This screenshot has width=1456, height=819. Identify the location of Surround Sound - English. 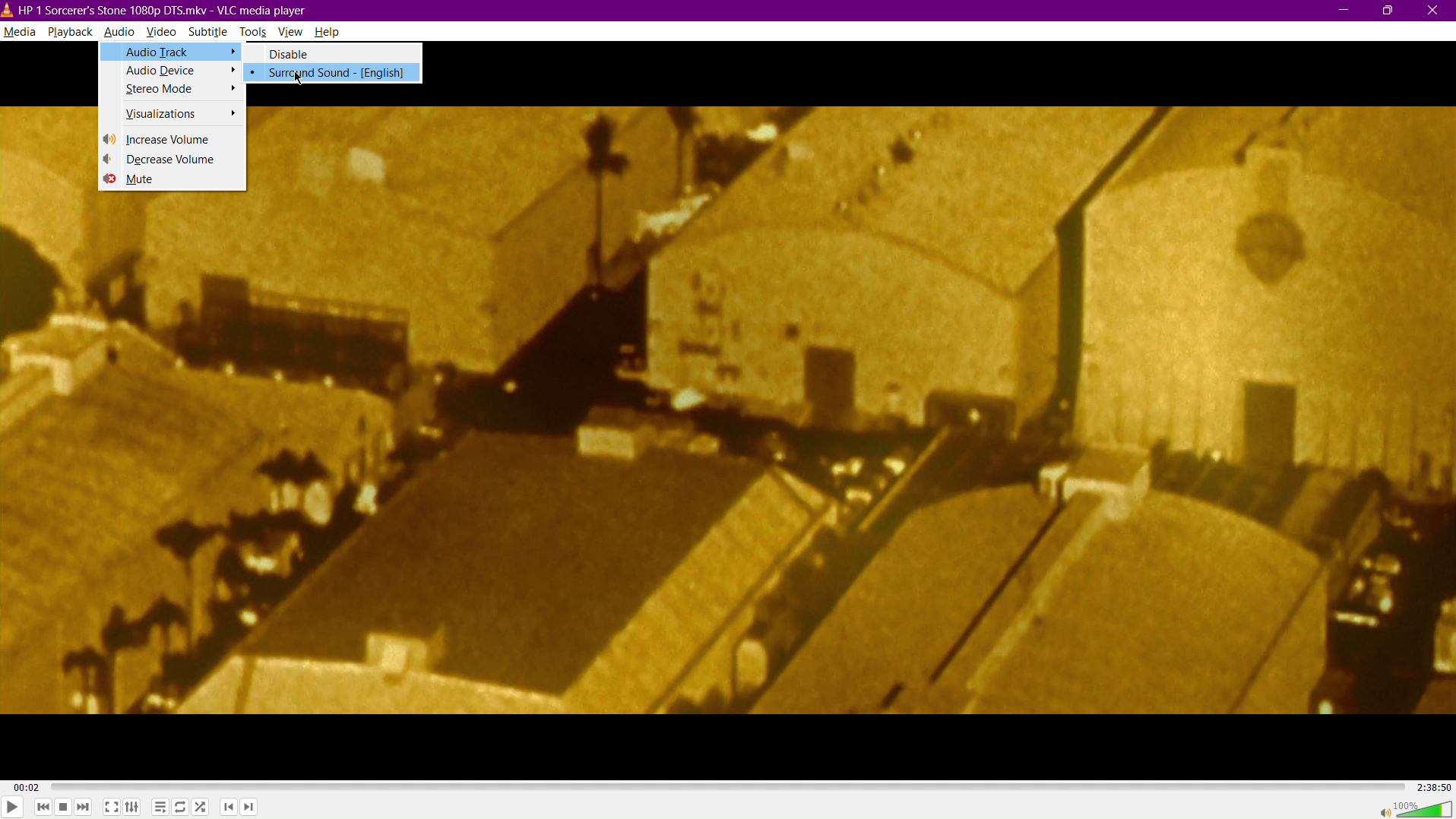
(336, 74).